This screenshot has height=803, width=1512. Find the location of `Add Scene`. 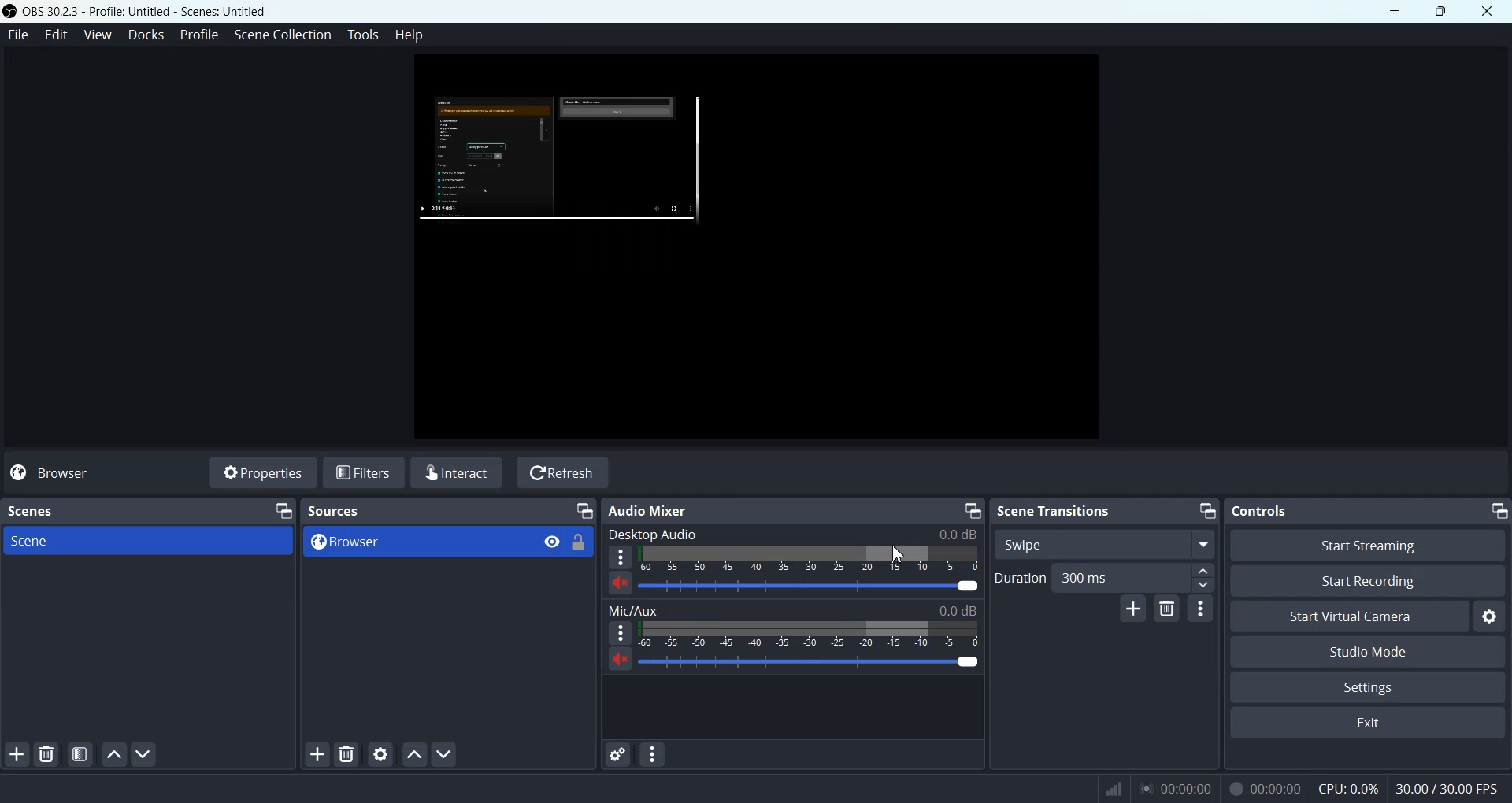

Add Scene is located at coordinates (17, 755).